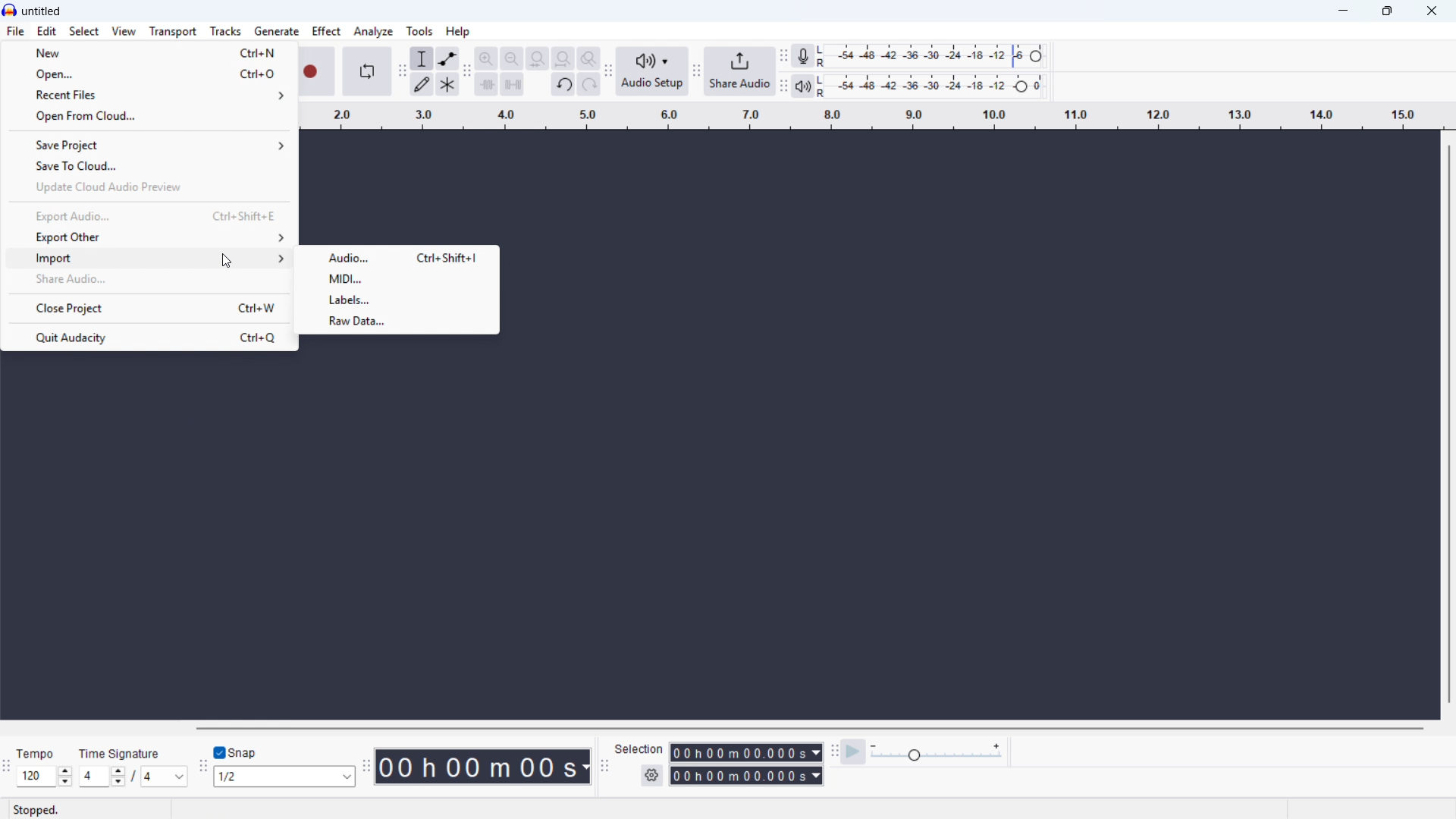  What do you see at coordinates (172, 32) in the screenshot?
I see `Transport ` at bounding box center [172, 32].